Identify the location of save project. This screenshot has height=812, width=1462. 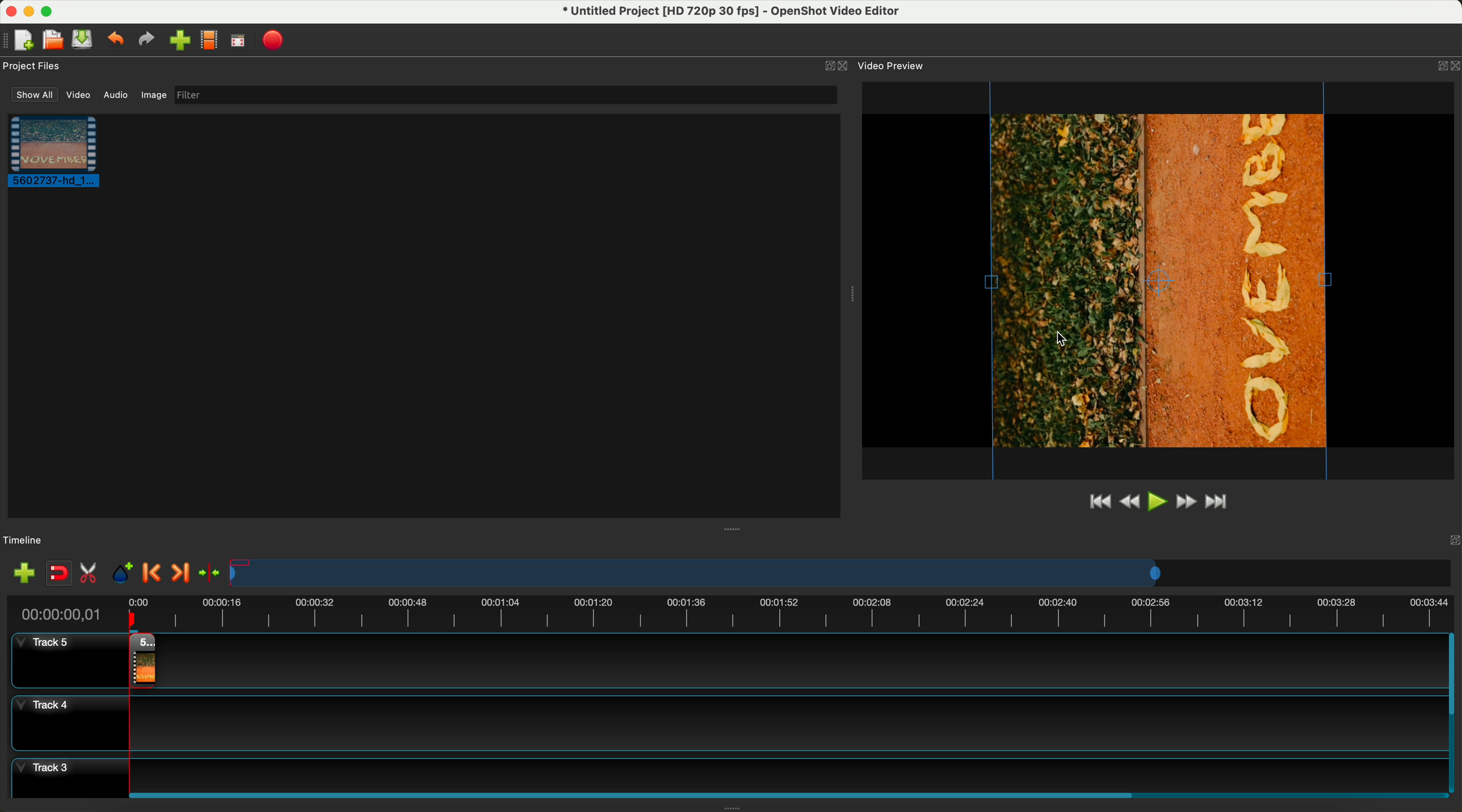
(83, 39).